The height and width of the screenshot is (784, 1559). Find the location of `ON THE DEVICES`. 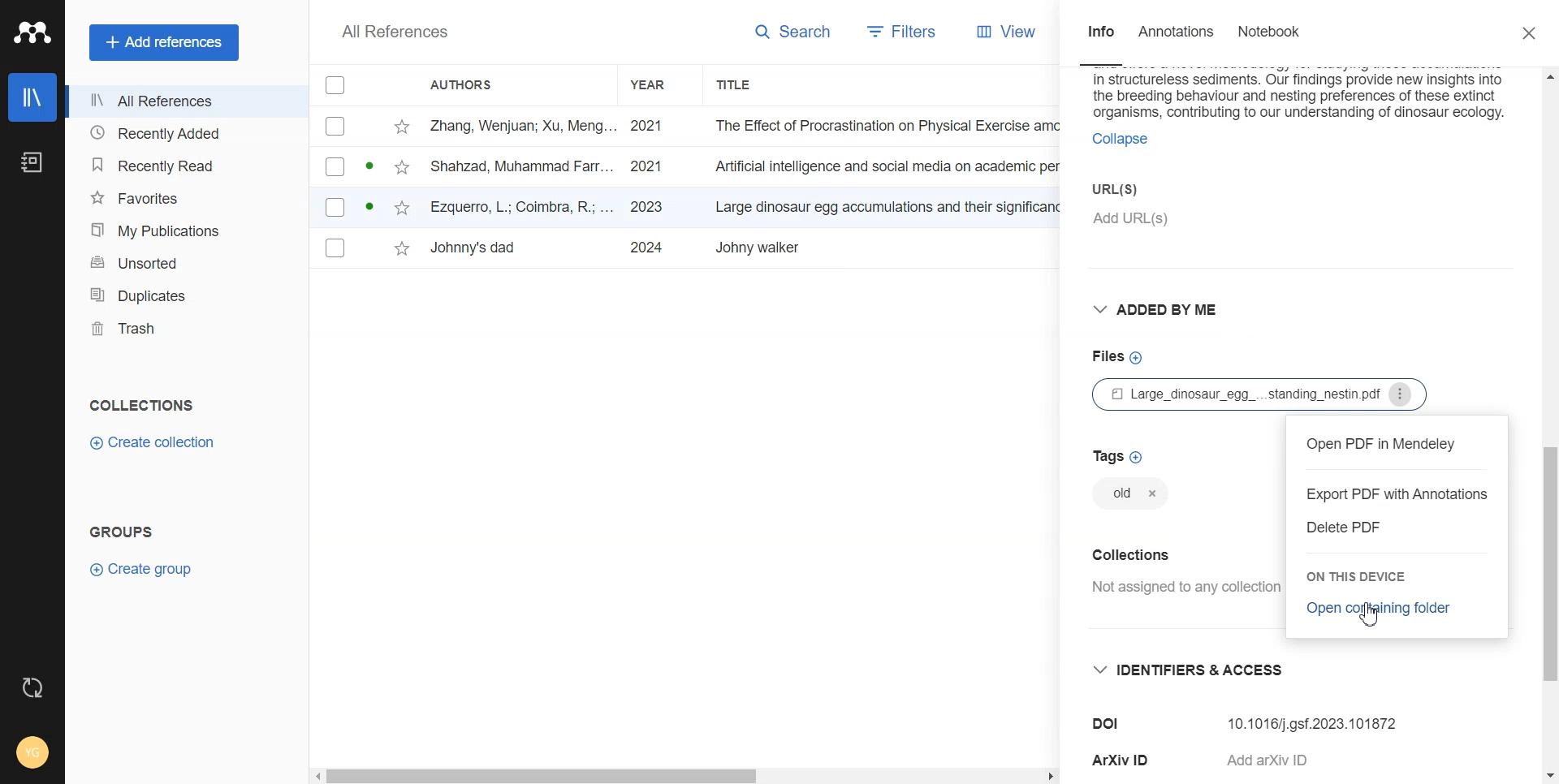

ON THE DEVICES is located at coordinates (1363, 579).